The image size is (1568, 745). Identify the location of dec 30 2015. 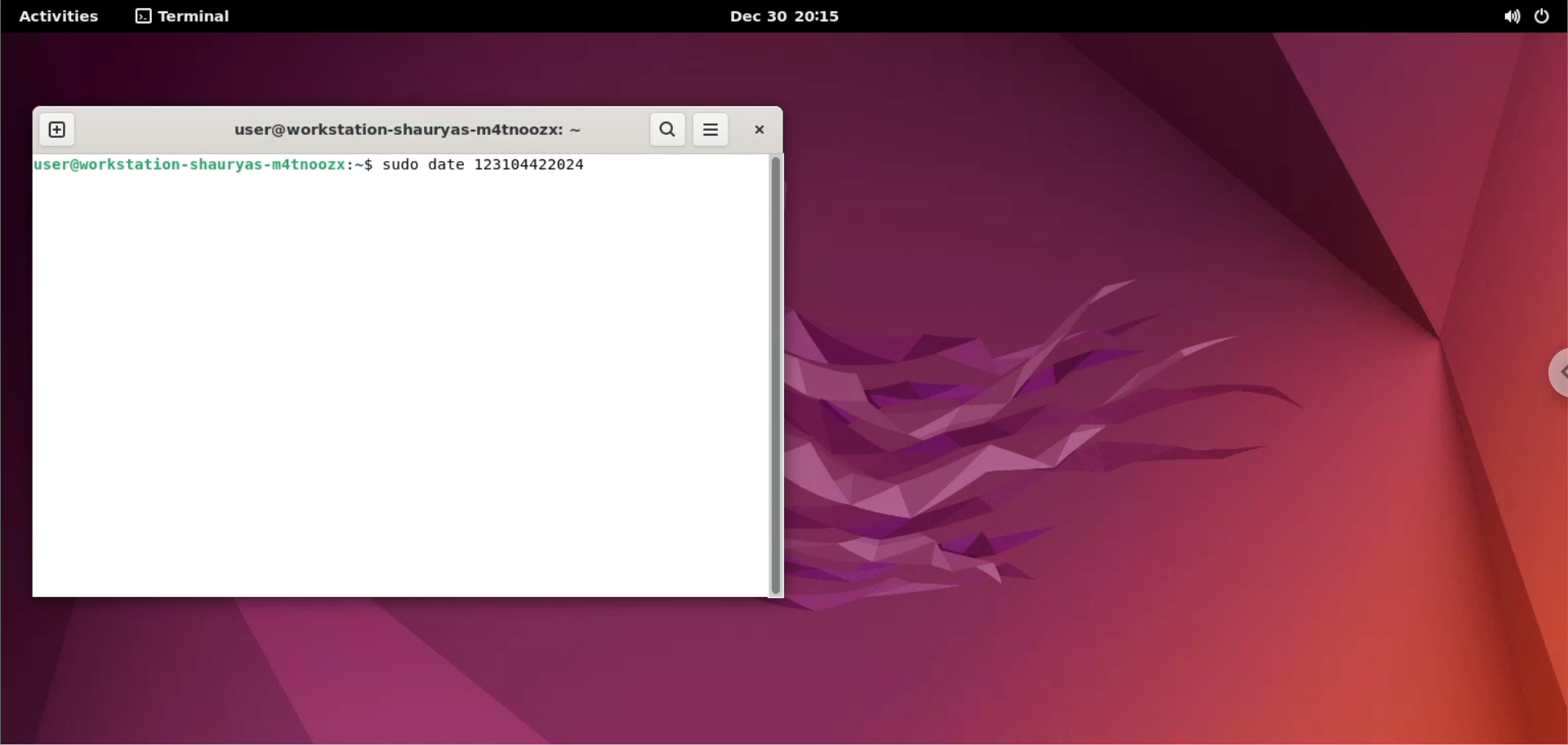
(791, 16).